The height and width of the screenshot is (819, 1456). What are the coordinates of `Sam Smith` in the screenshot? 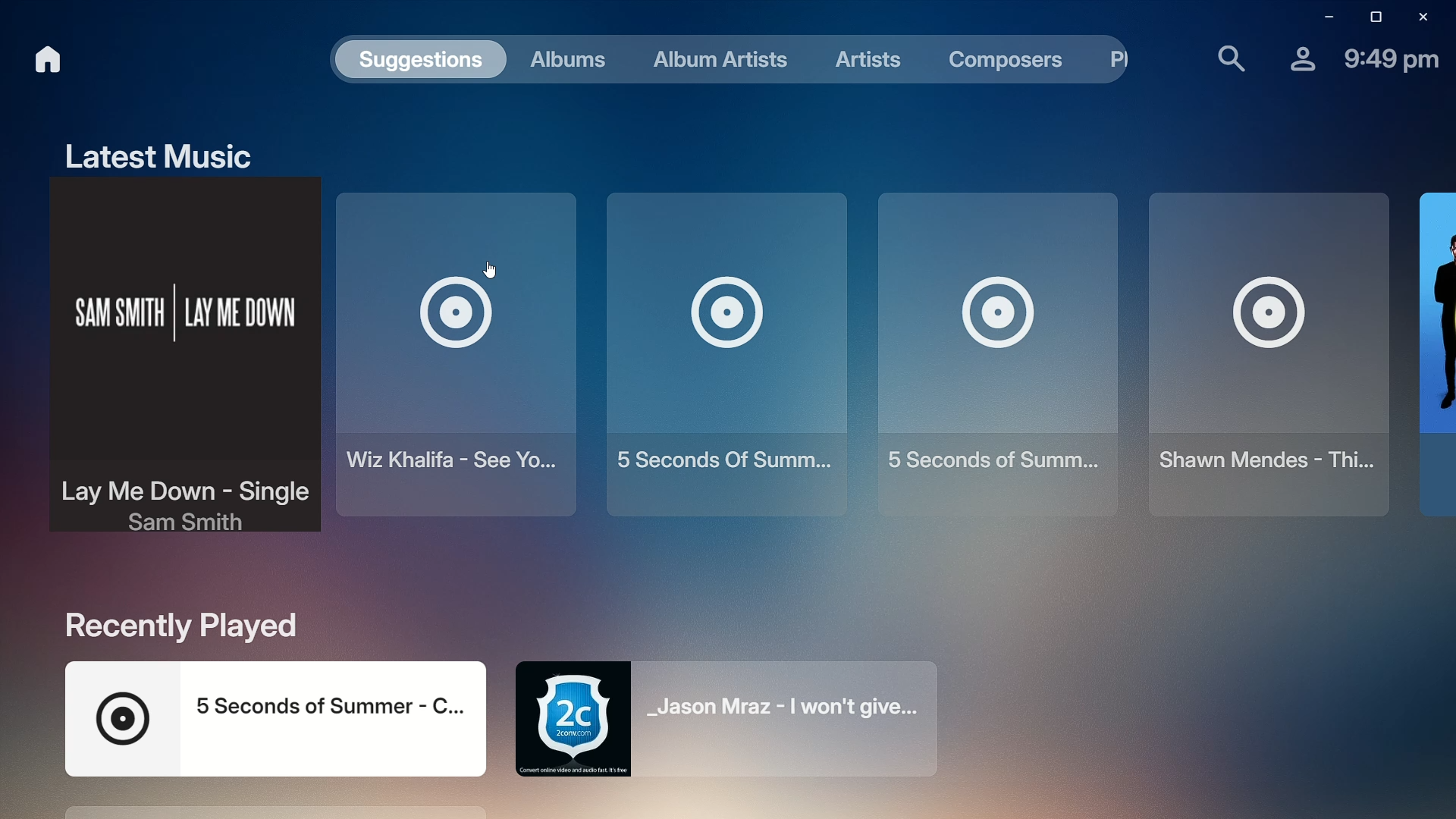 It's located at (174, 366).